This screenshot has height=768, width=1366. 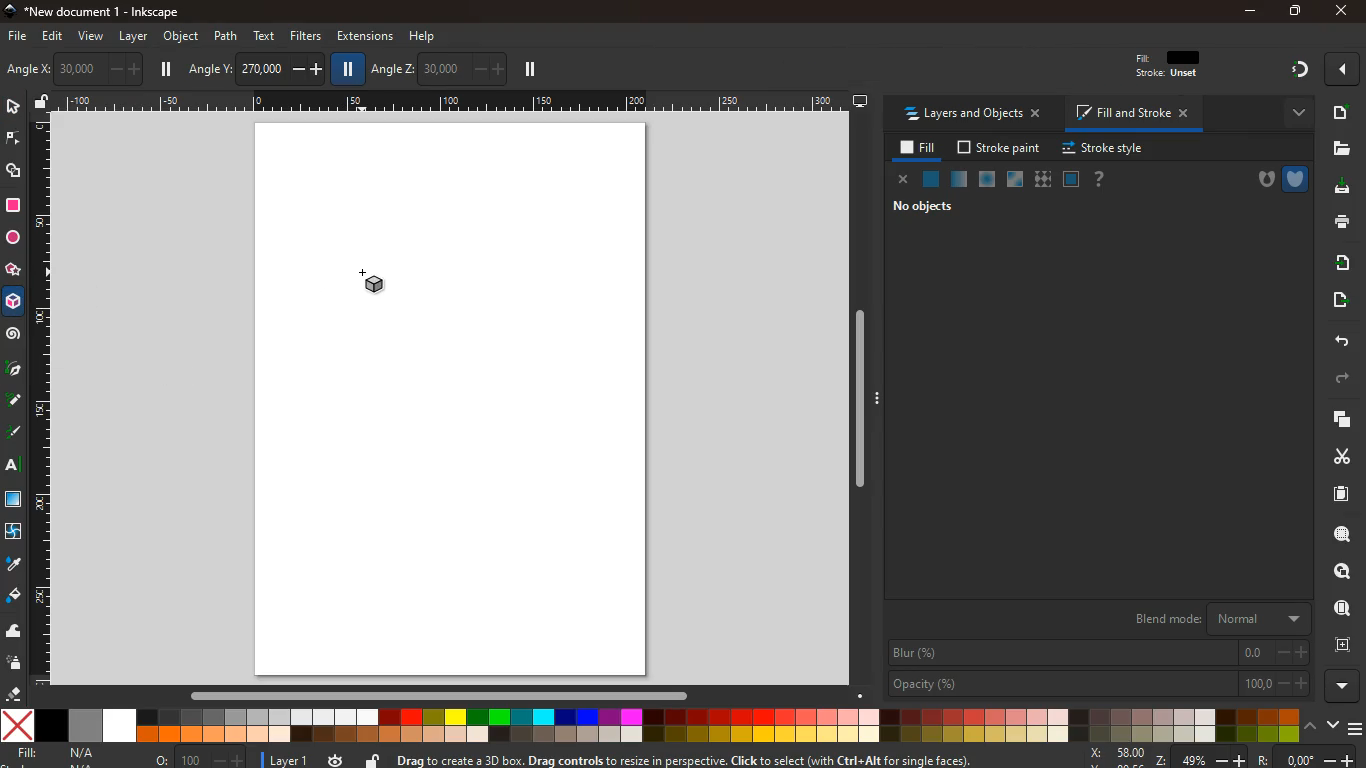 What do you see at coordinates (1340, 112) in the screenshot?
I see `new` at bounding box center [1340, 112].